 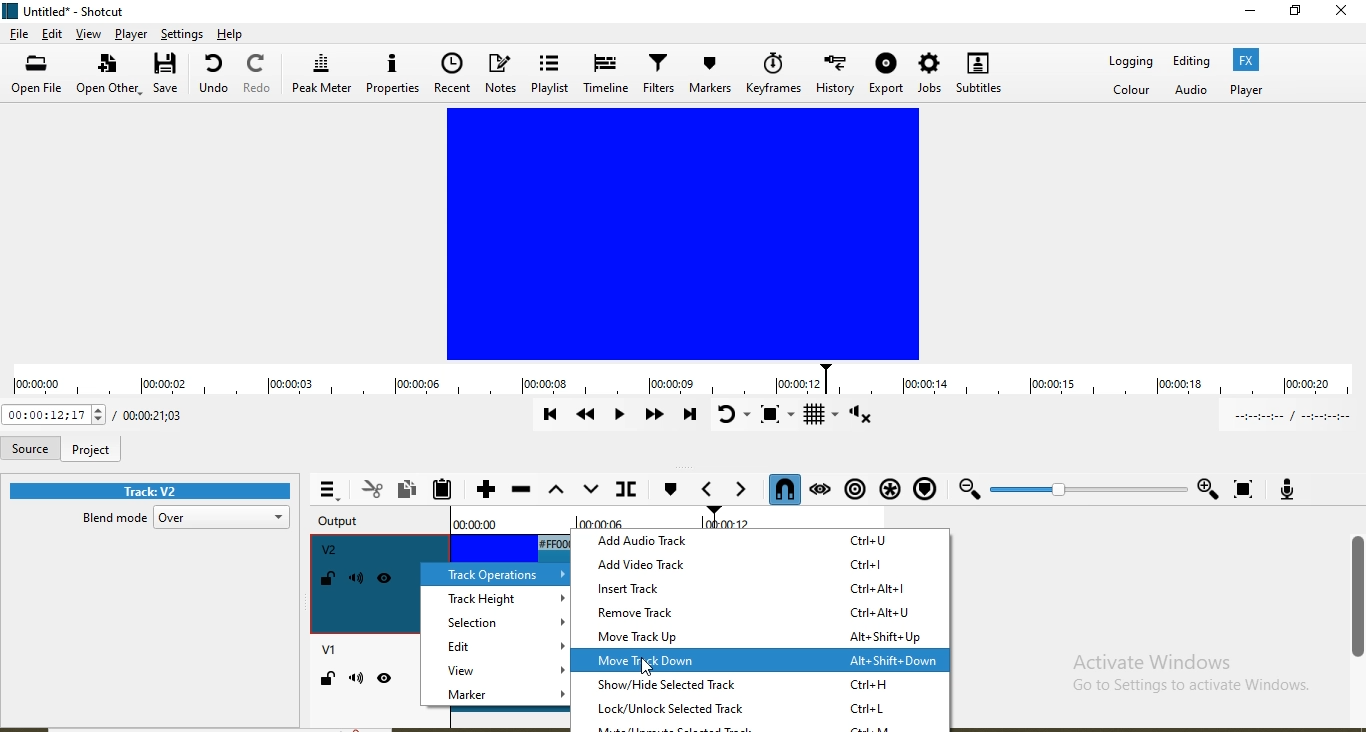 What do you see at coordinates (764, 661) in the screenshot?
I see `highlighted` at bounding box center [764, 661].